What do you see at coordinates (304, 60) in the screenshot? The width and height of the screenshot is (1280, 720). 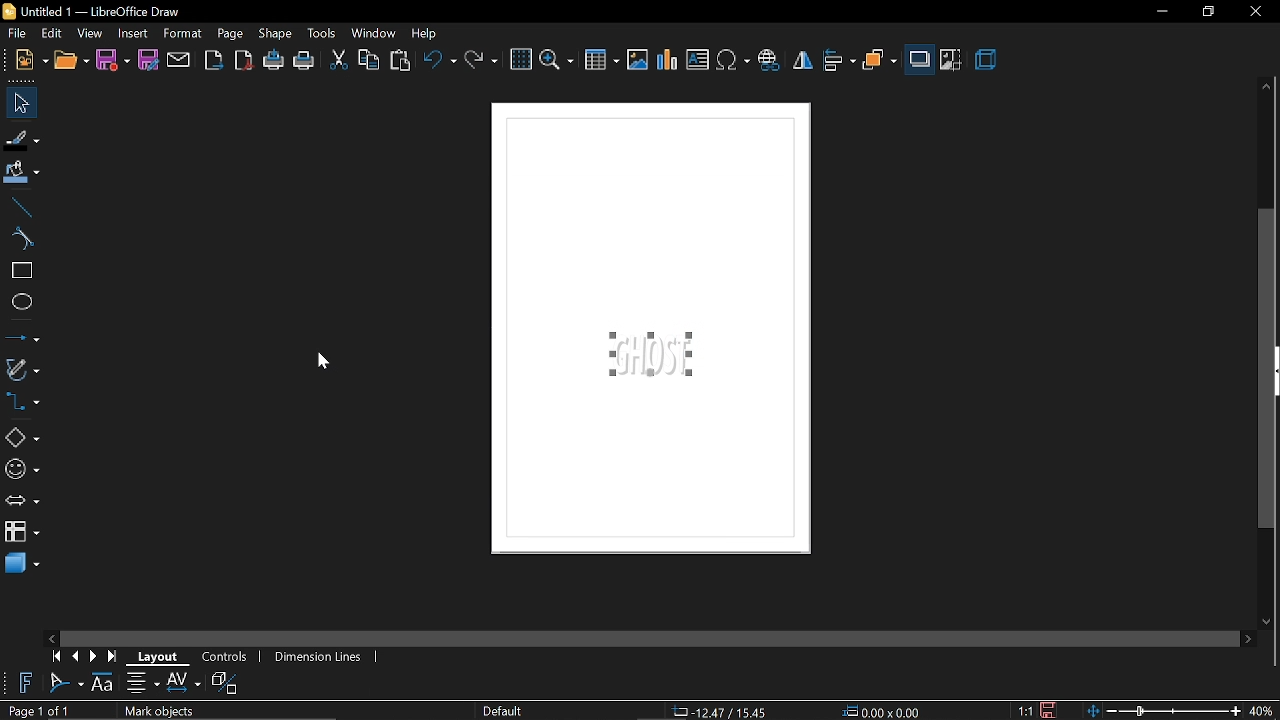 I see `print` at bounding box center [304, 60].